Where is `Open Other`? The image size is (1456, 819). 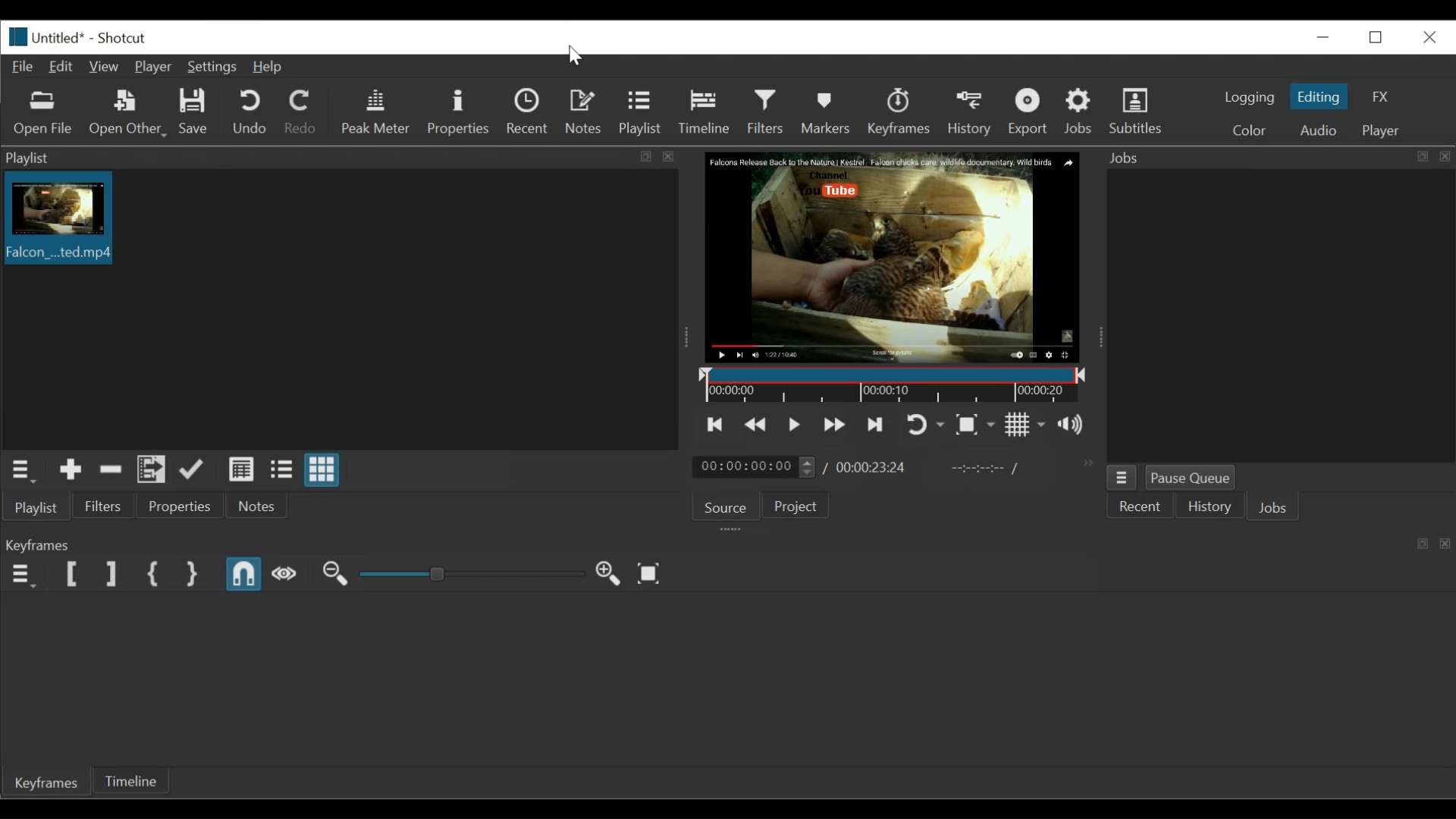
Open Other is located at coordinates (128, 115).